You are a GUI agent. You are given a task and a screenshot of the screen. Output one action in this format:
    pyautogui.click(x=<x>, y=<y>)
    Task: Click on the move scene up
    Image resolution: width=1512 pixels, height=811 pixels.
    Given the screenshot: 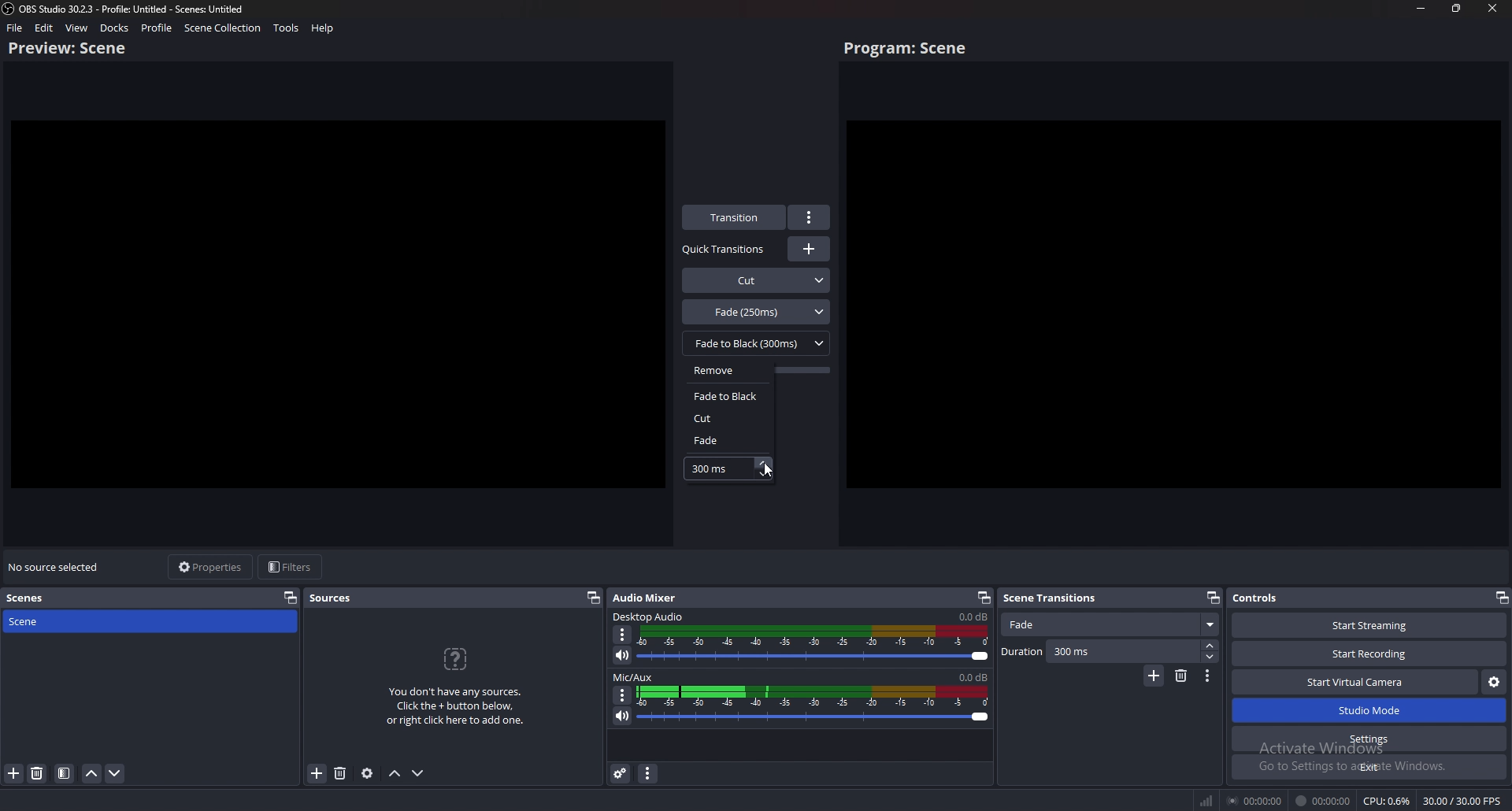 What is the action you would take?
    pyautogui.click(x=92, y=773)
    